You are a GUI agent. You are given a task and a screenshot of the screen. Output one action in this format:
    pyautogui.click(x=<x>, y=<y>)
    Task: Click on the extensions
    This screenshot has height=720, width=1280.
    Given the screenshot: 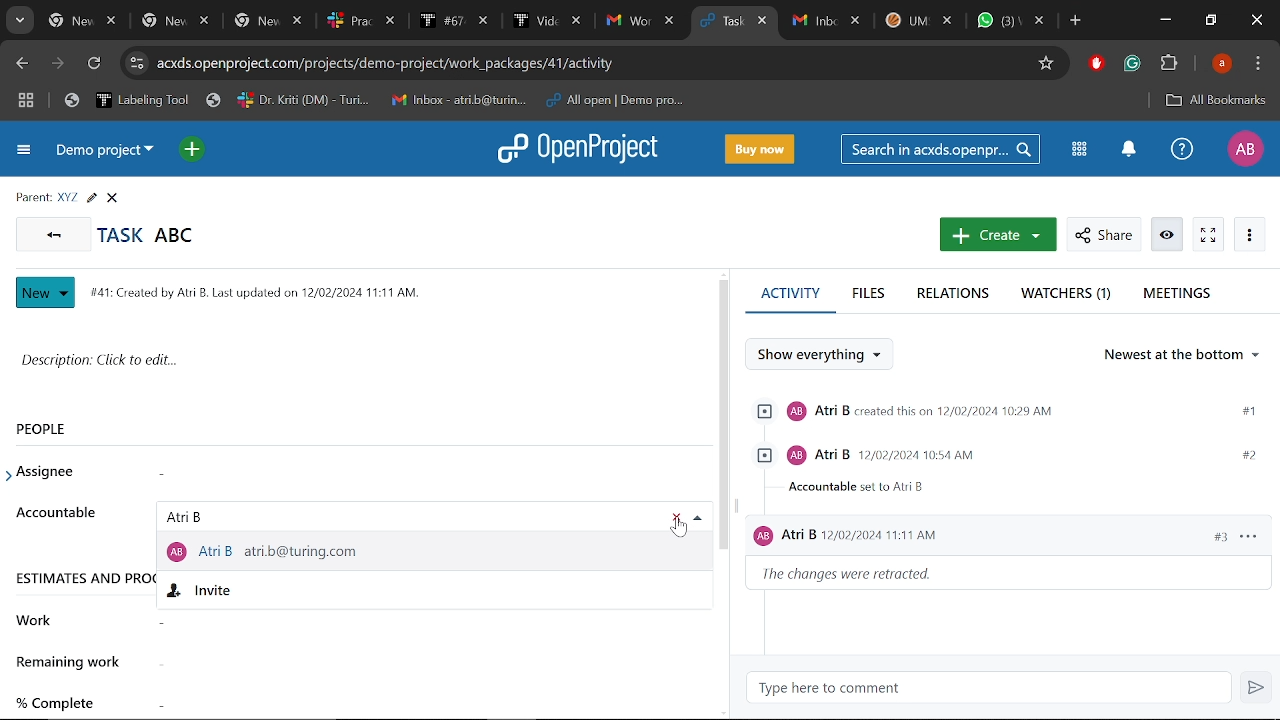 What is the action you would take?
    pyautogui.click(x=1170, y=65)
    